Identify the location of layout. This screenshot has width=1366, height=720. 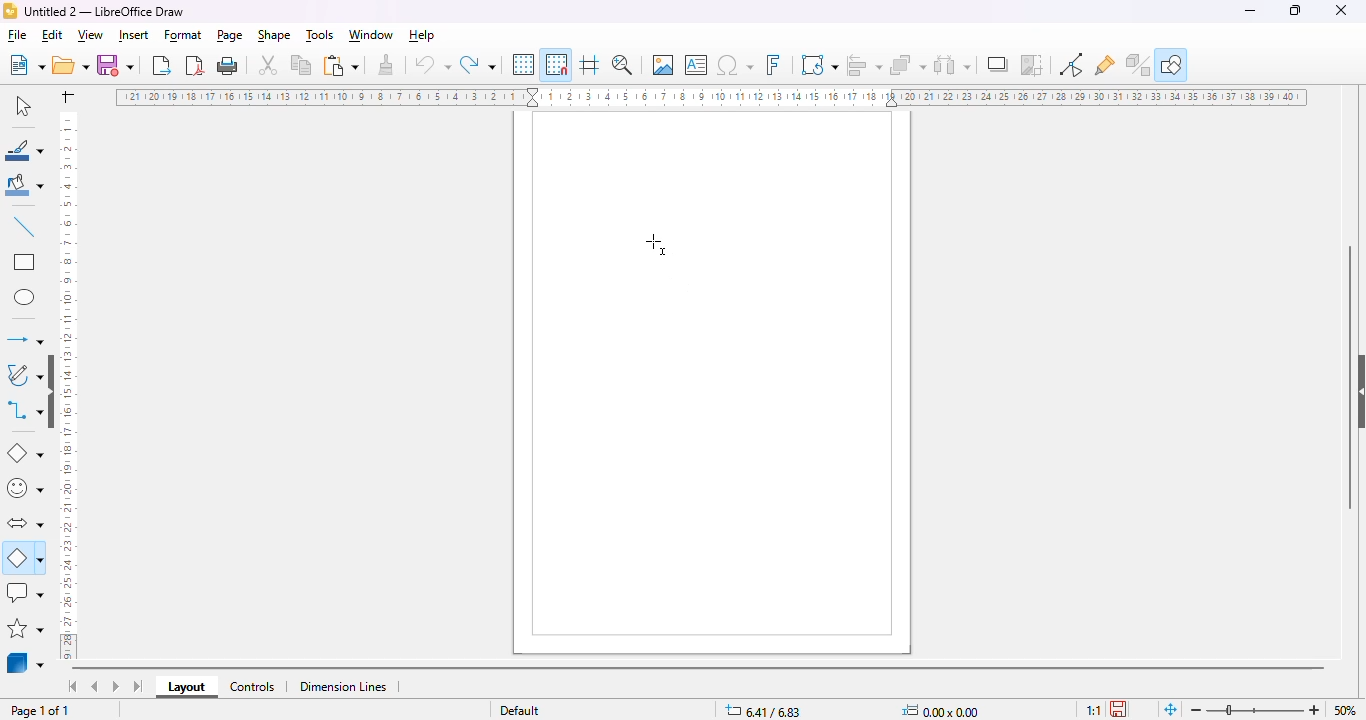
(189, 687).